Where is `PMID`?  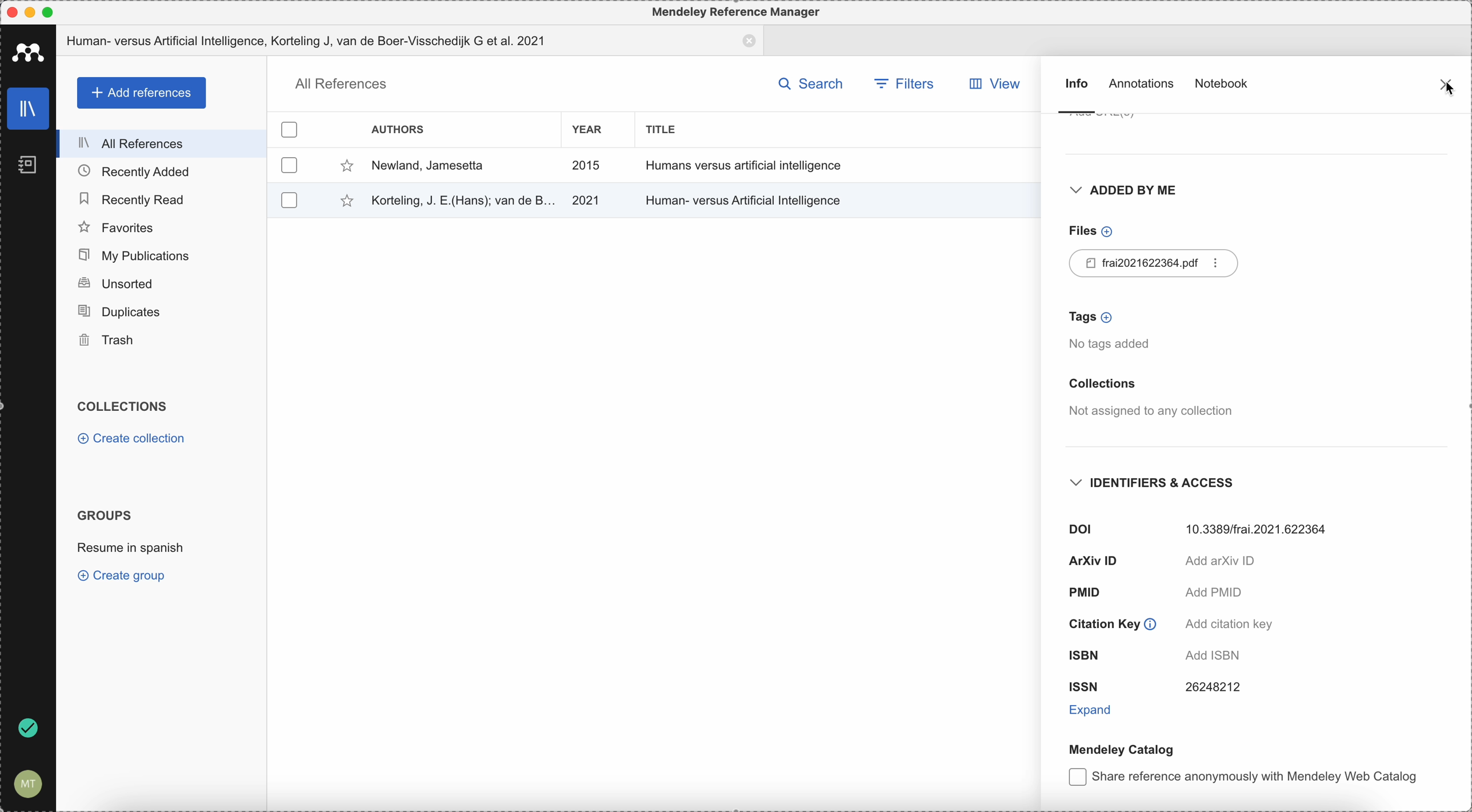
PMID is located at coordinates (1154, 594).